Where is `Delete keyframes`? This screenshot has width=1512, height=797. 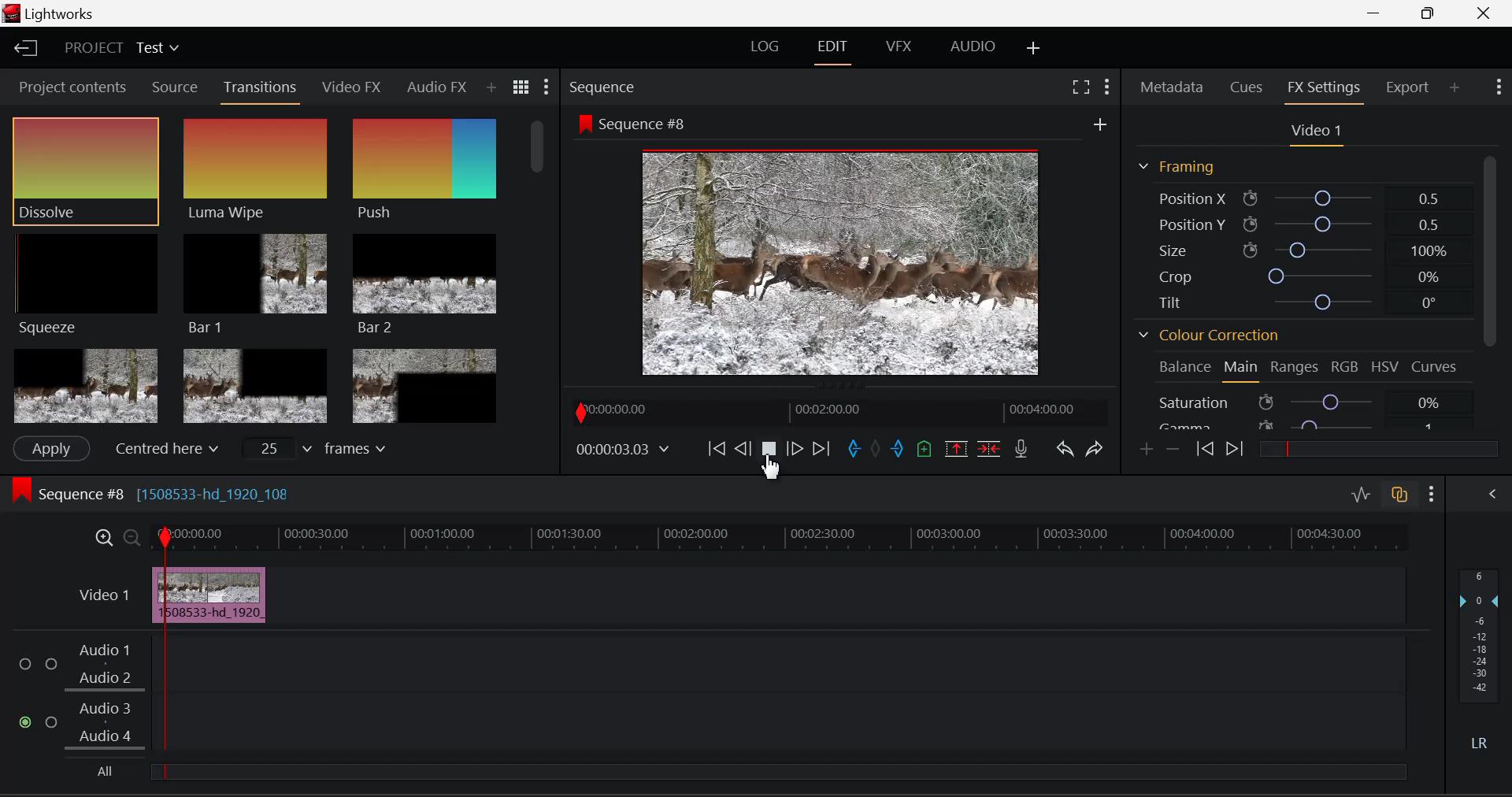
Delete keyframes is located at coordinates (1172, 448).